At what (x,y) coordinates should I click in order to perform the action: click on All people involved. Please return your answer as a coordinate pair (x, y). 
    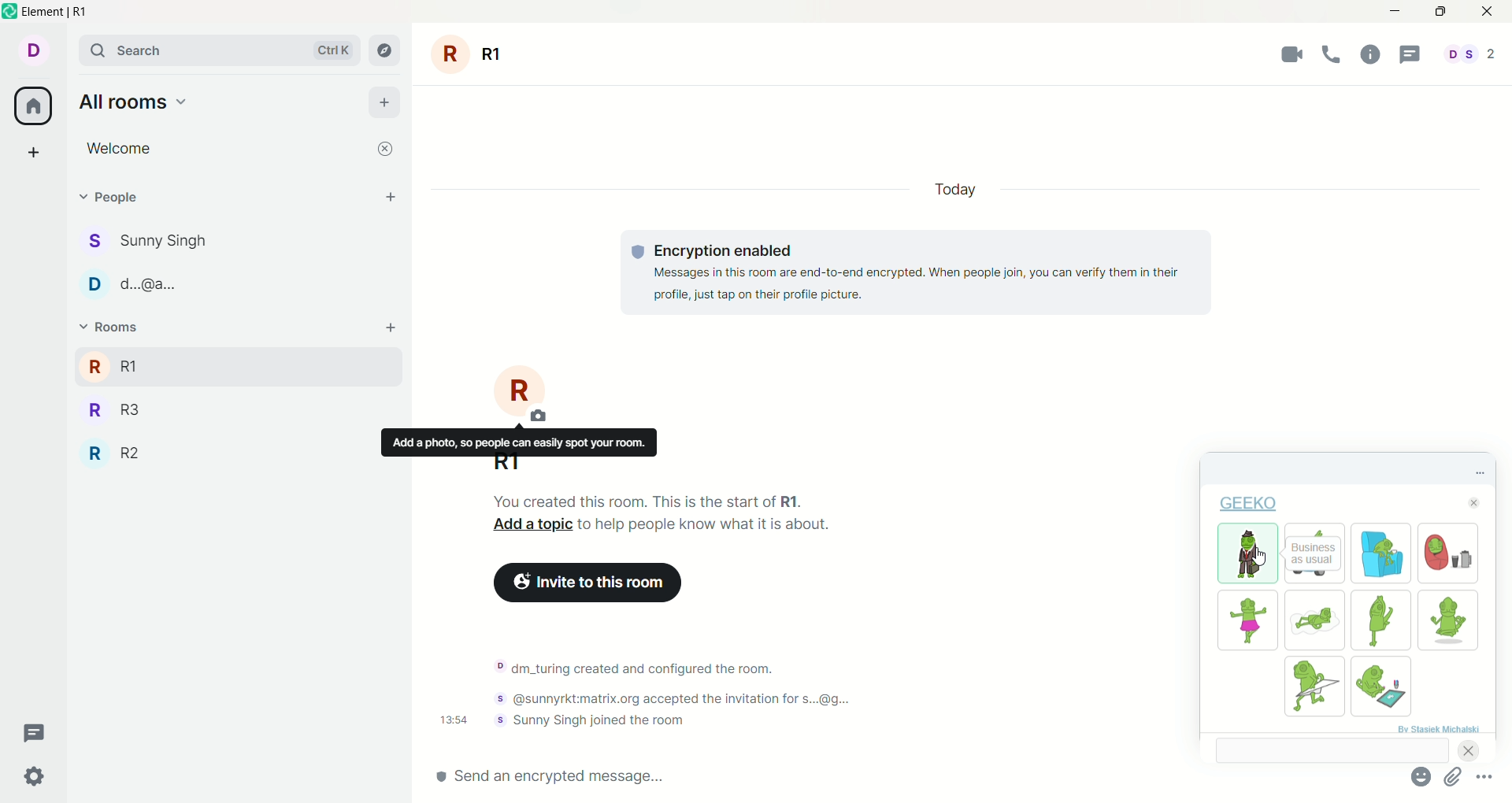
    Looking at the image, I should click on (1470, 54).